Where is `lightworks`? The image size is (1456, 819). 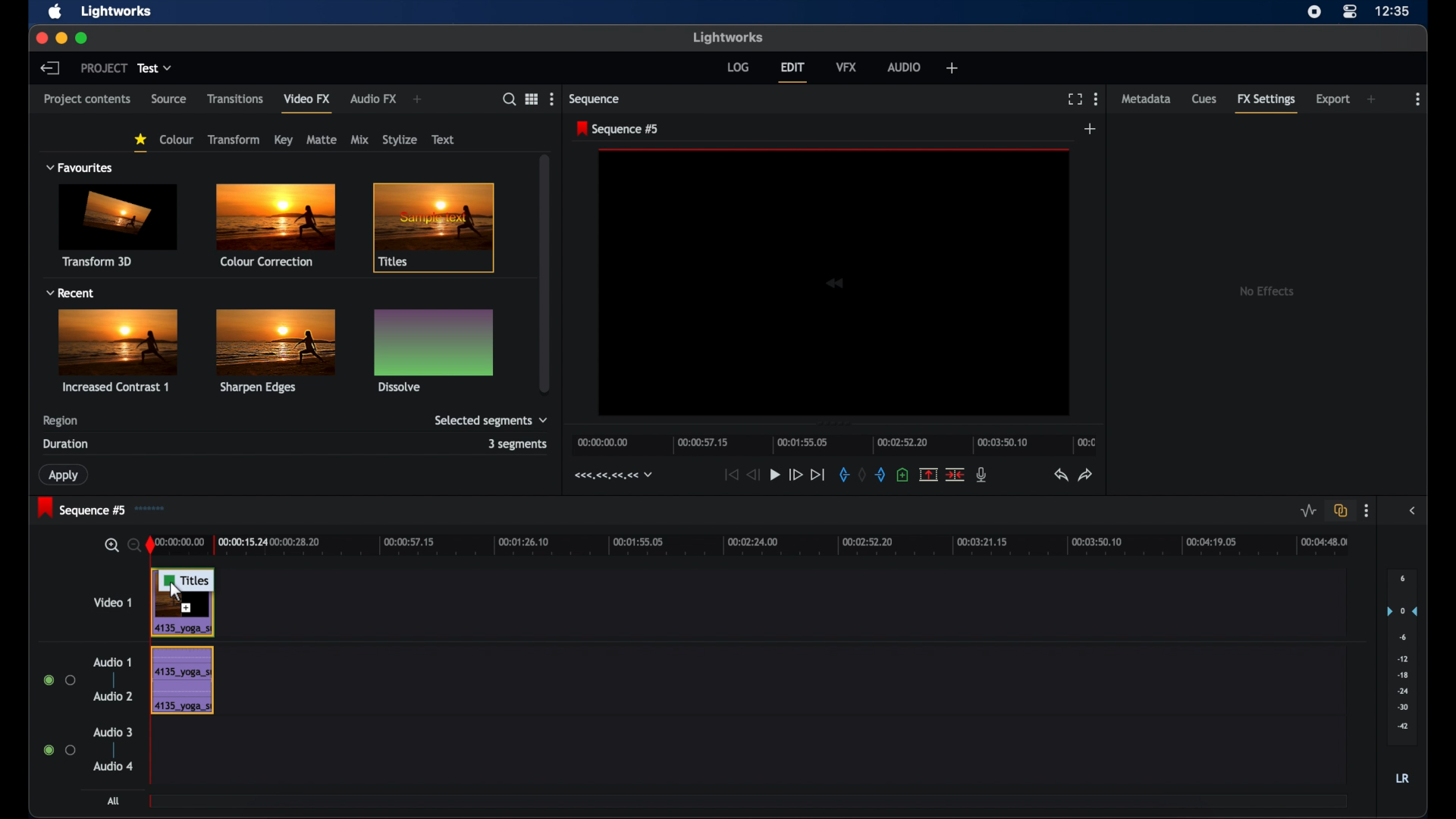
lightworks is located at coordinates (727, 37).